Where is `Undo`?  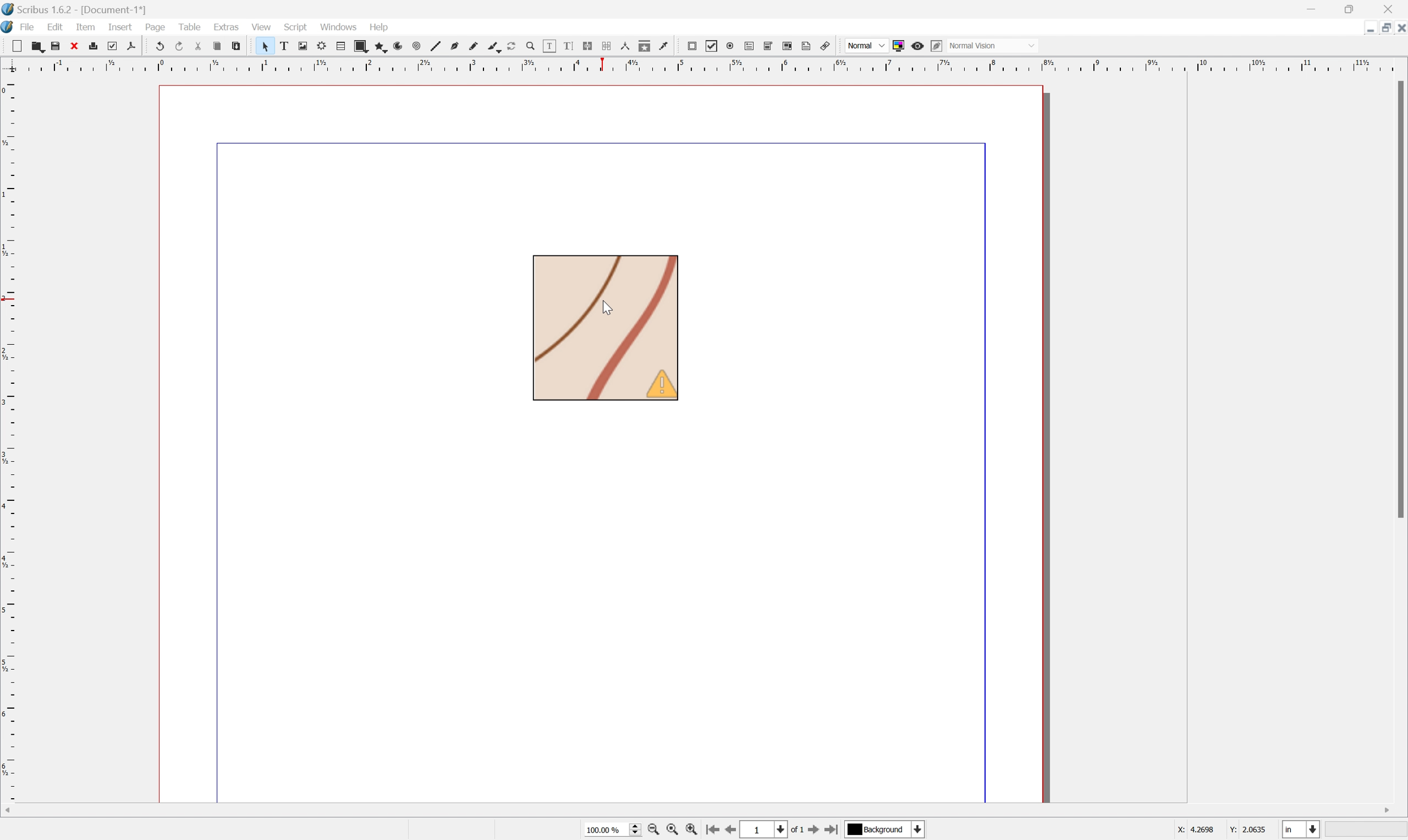
Undo is located at coordinates (161, 45).